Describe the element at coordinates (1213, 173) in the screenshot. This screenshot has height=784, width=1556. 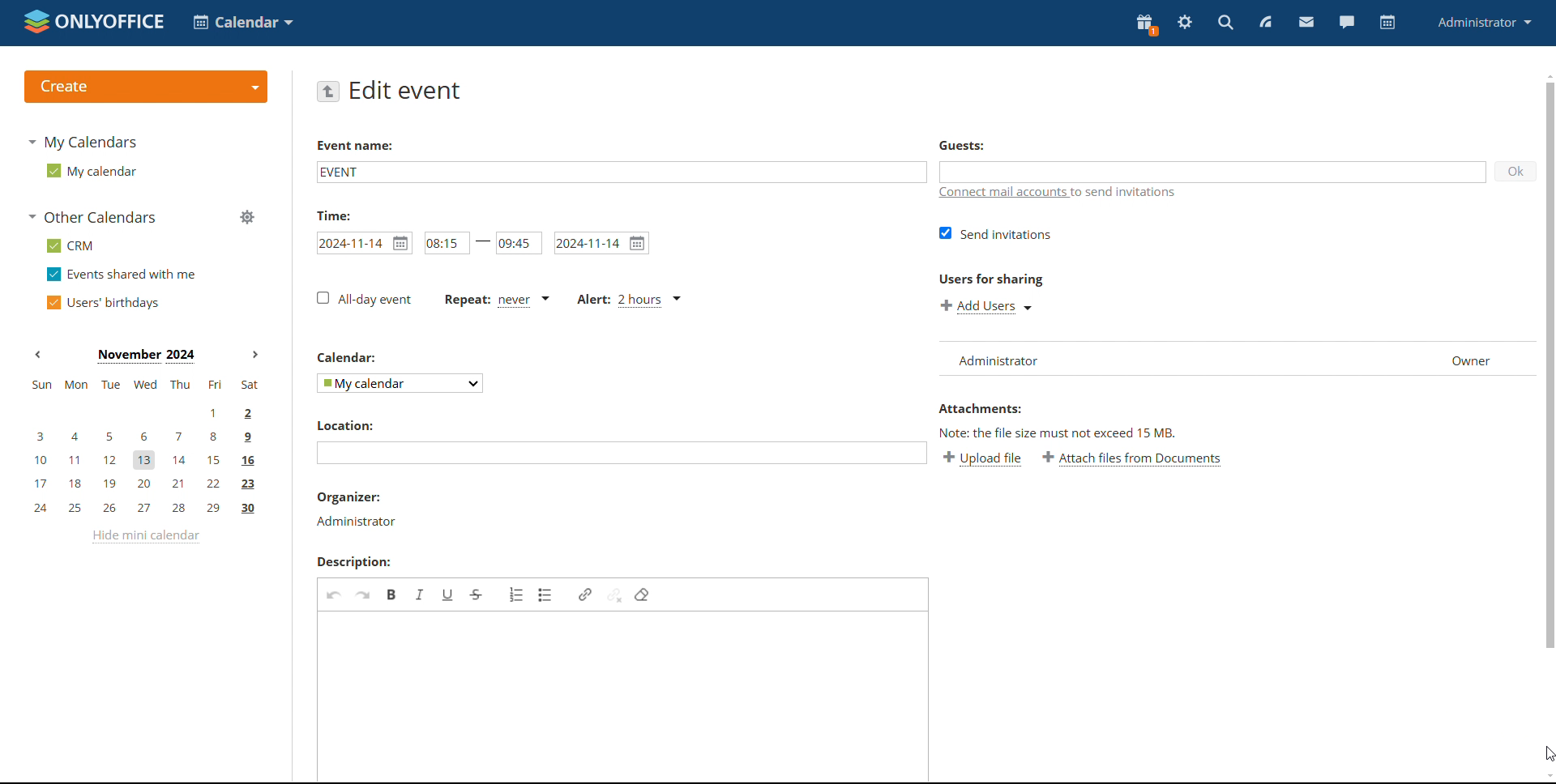
I see `add guests` at that location.